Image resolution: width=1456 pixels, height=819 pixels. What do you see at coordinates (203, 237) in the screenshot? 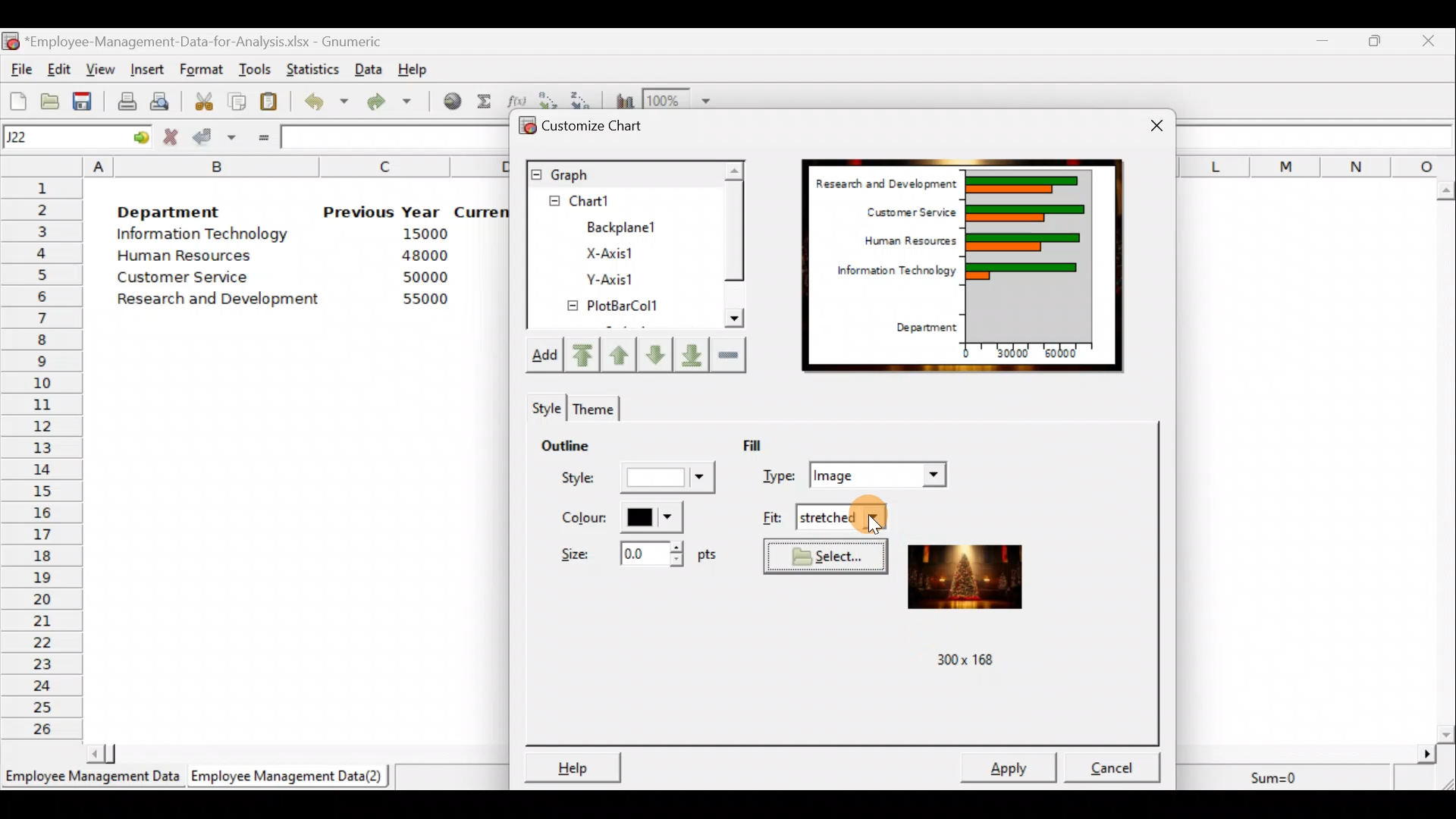
I see `Information Technology` at bounding box center [203, 237].